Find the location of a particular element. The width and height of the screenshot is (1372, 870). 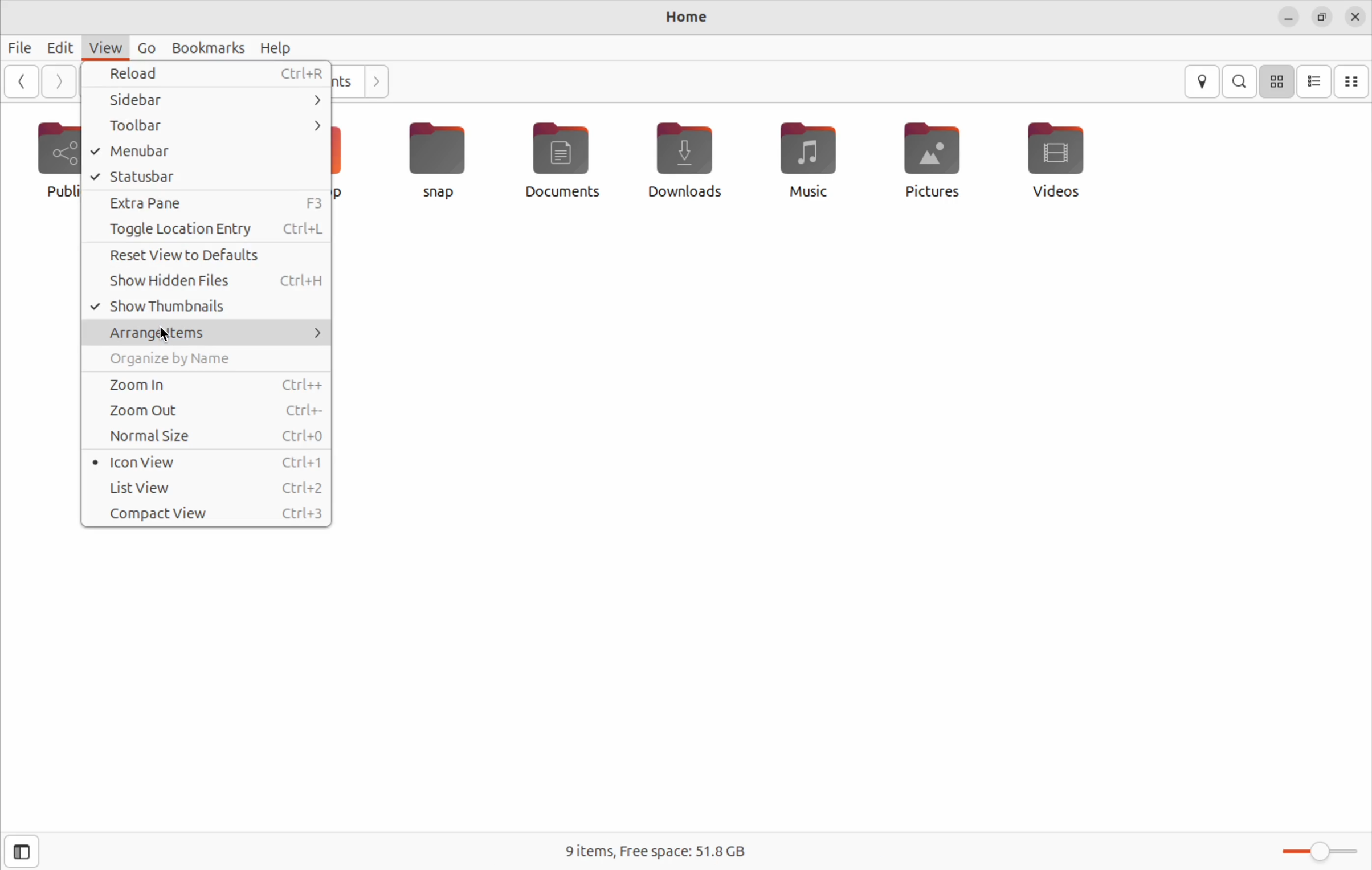

location is located at coordinates (1199, 83).